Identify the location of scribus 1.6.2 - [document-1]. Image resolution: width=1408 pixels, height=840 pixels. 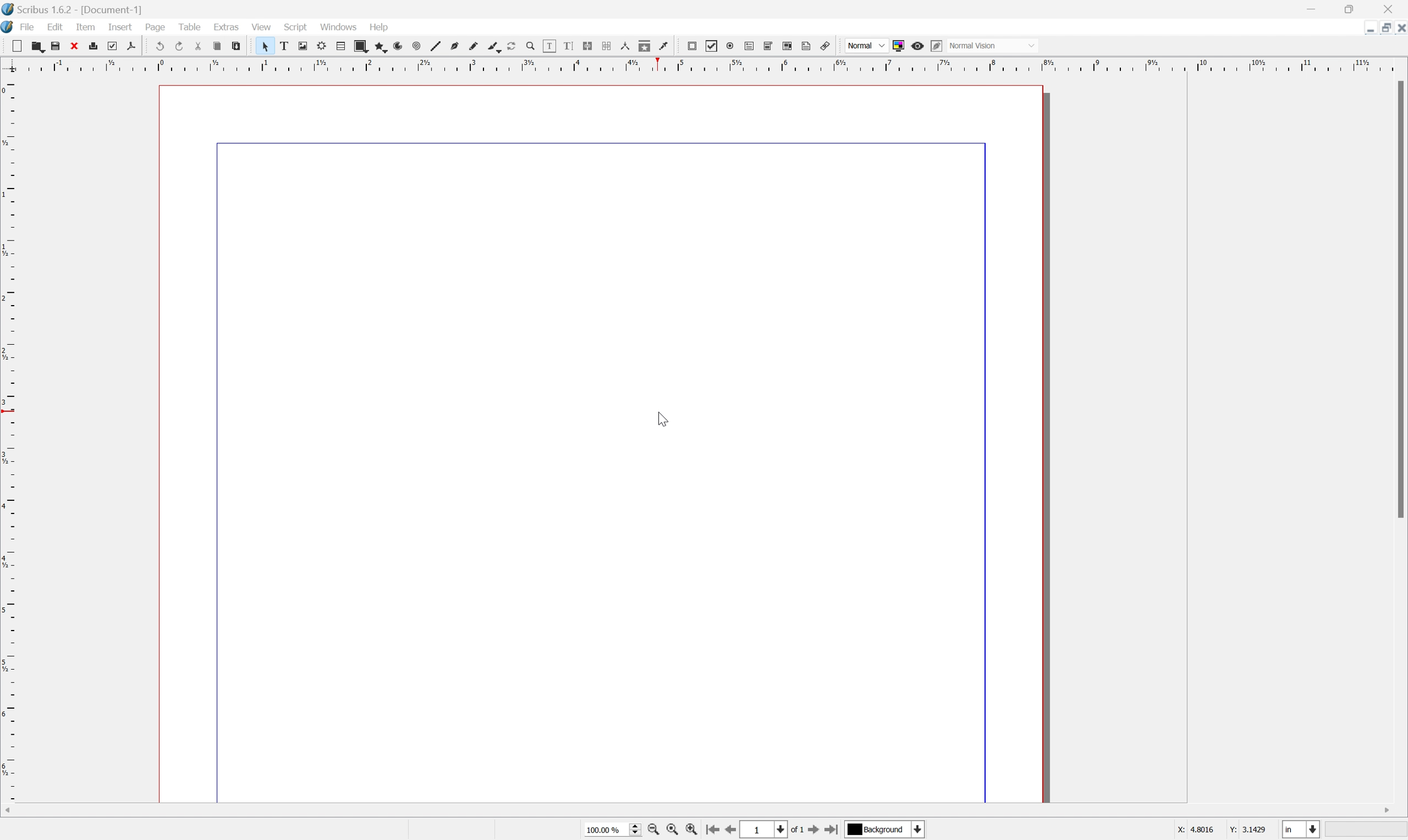
(72, 8).